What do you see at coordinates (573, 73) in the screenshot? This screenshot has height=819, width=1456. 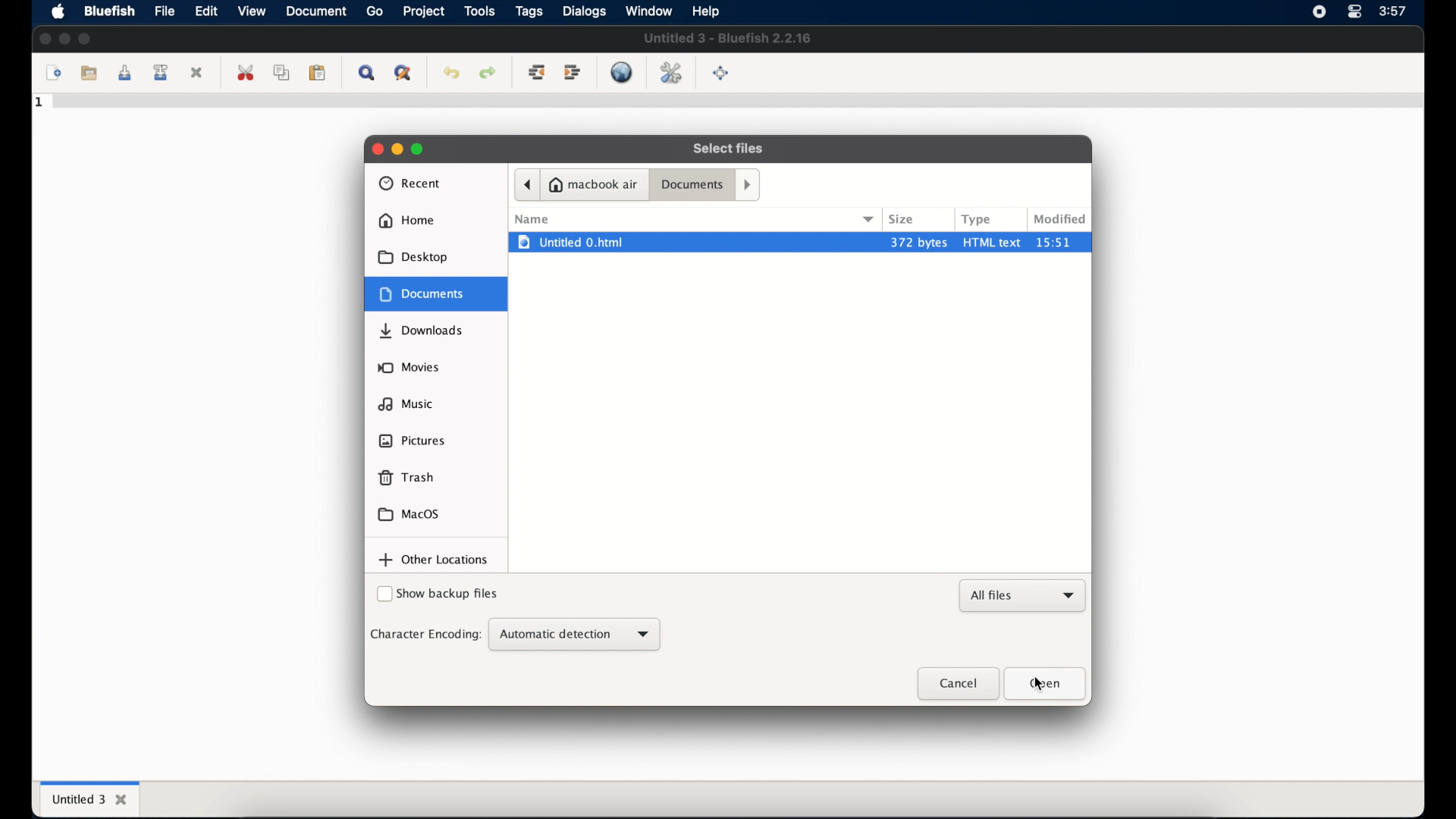 I see `indent ` at bounding box center [573, 73].